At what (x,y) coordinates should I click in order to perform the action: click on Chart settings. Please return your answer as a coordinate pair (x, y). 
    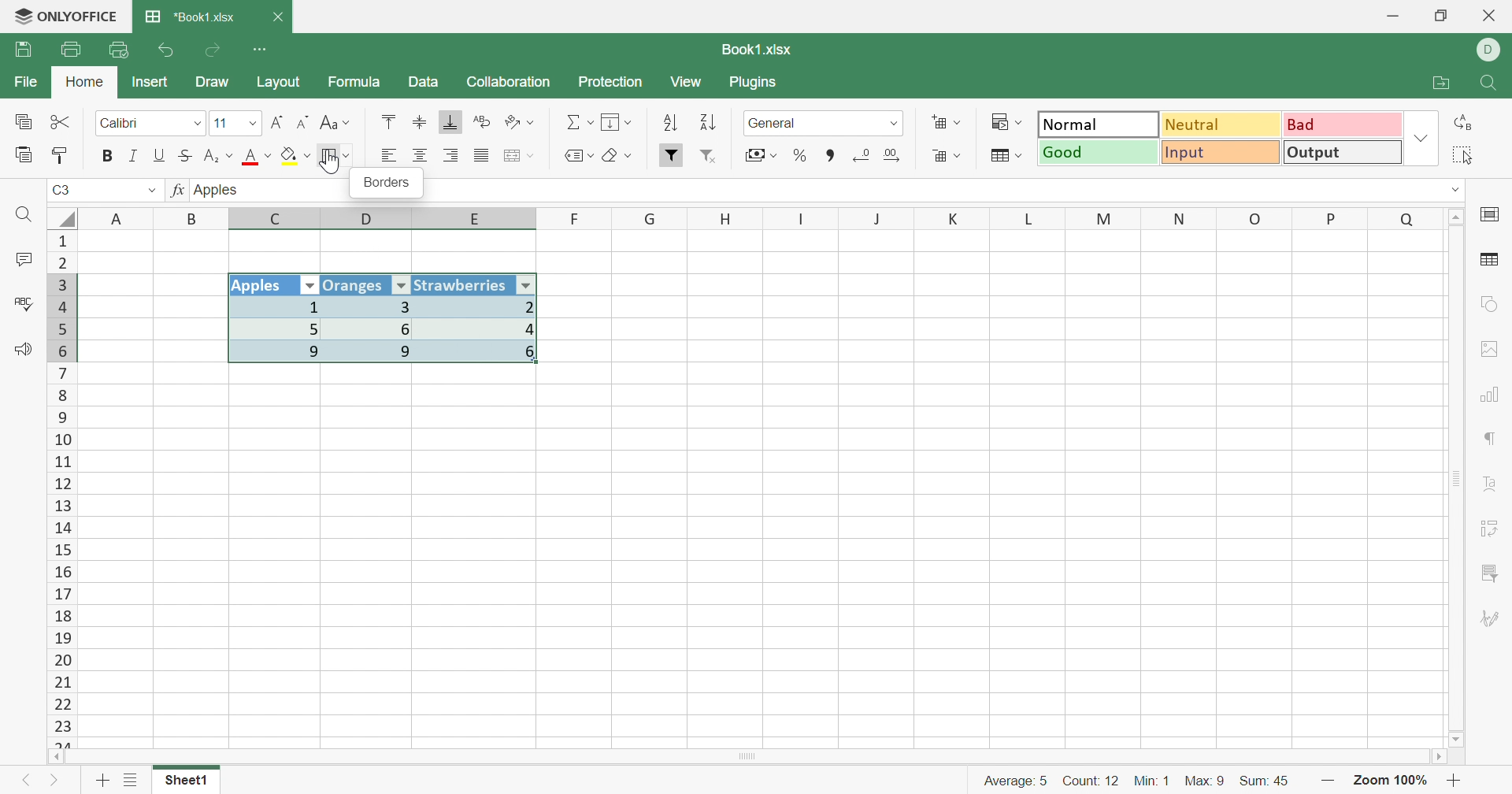
    Looking at the image, I should click on (1495, 394).